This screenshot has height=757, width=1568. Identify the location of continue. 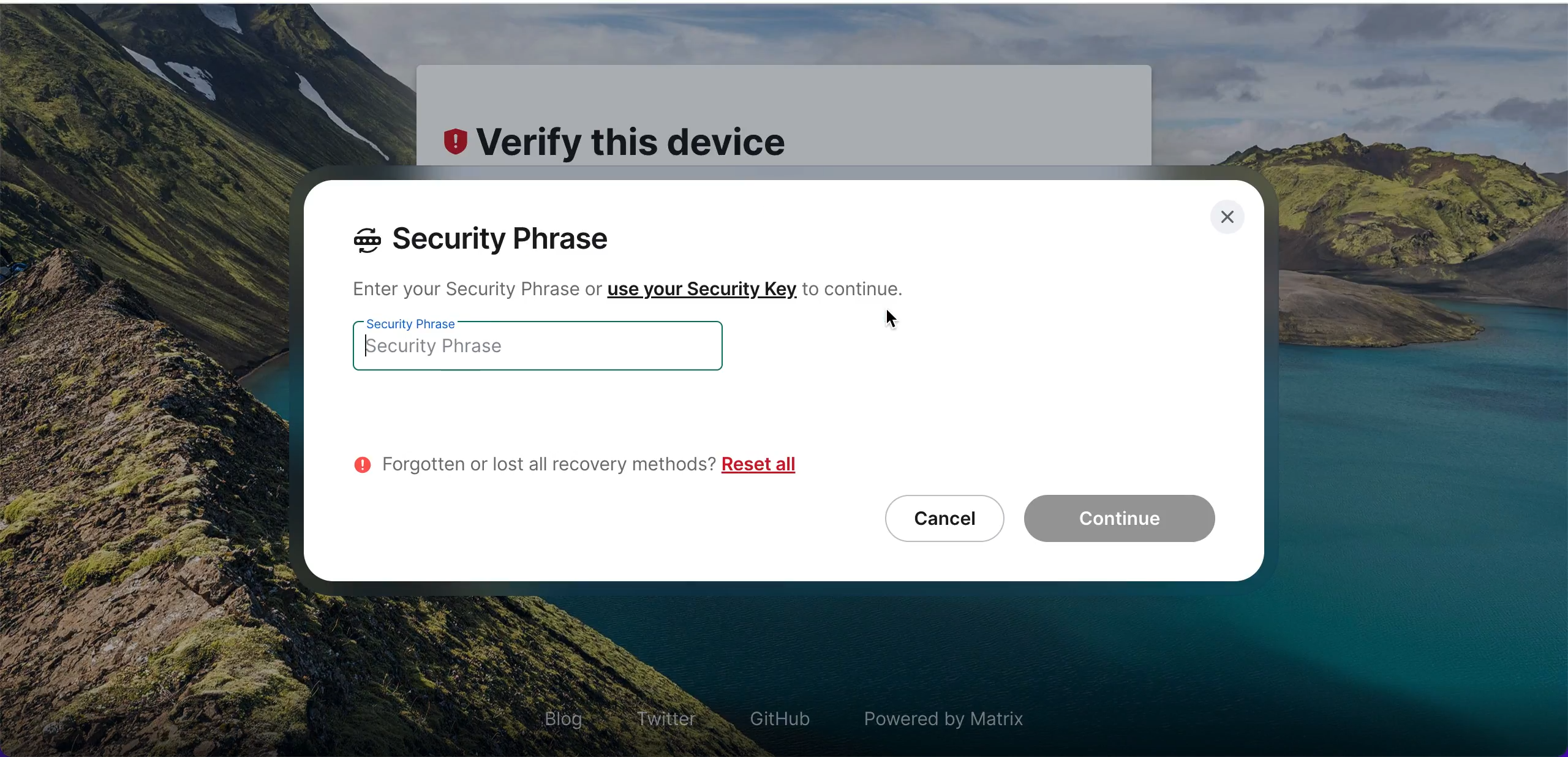
(1125, 520).